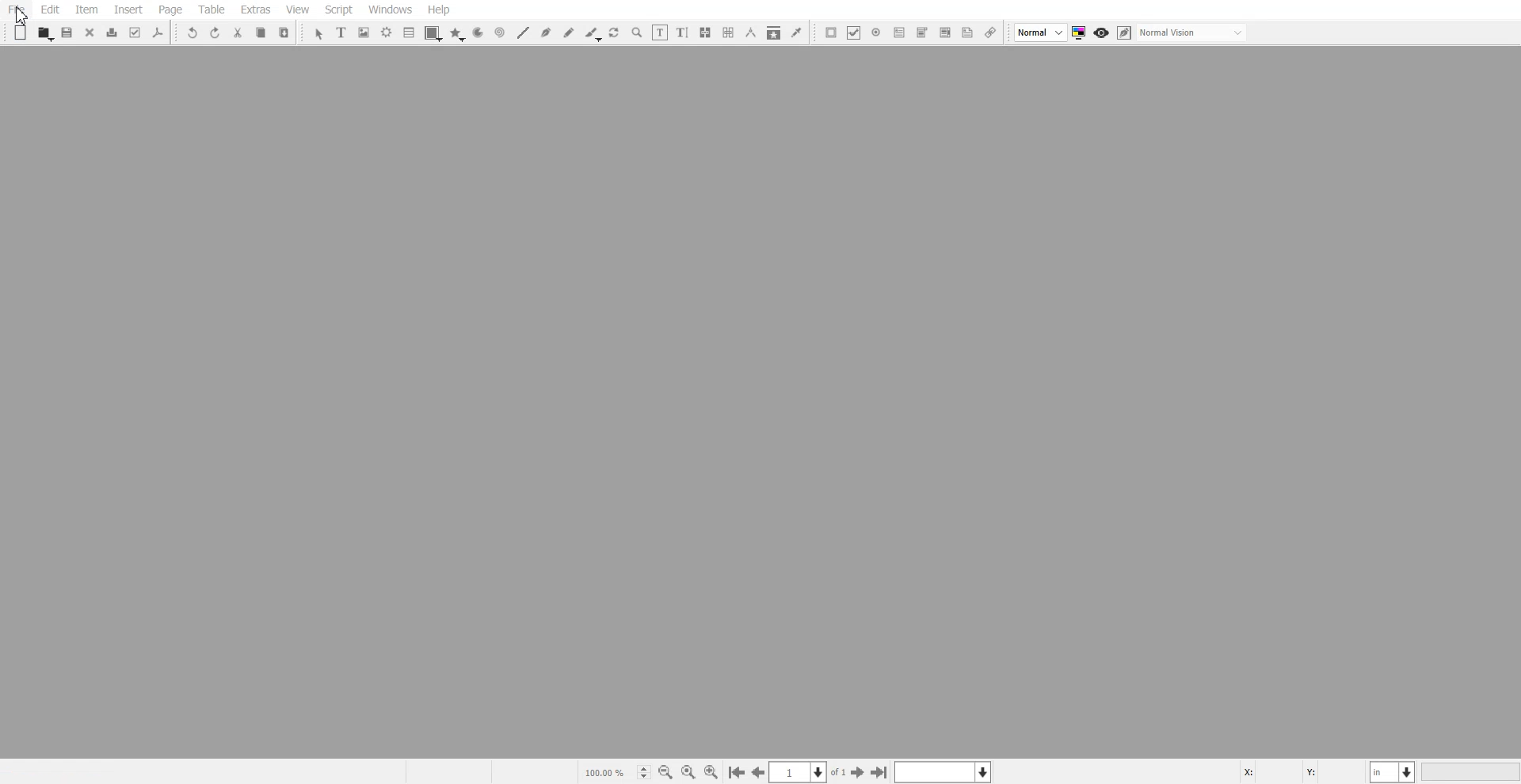 This screenshot has height=784, width=1521. I want to click on Shape, so click(433, 33).